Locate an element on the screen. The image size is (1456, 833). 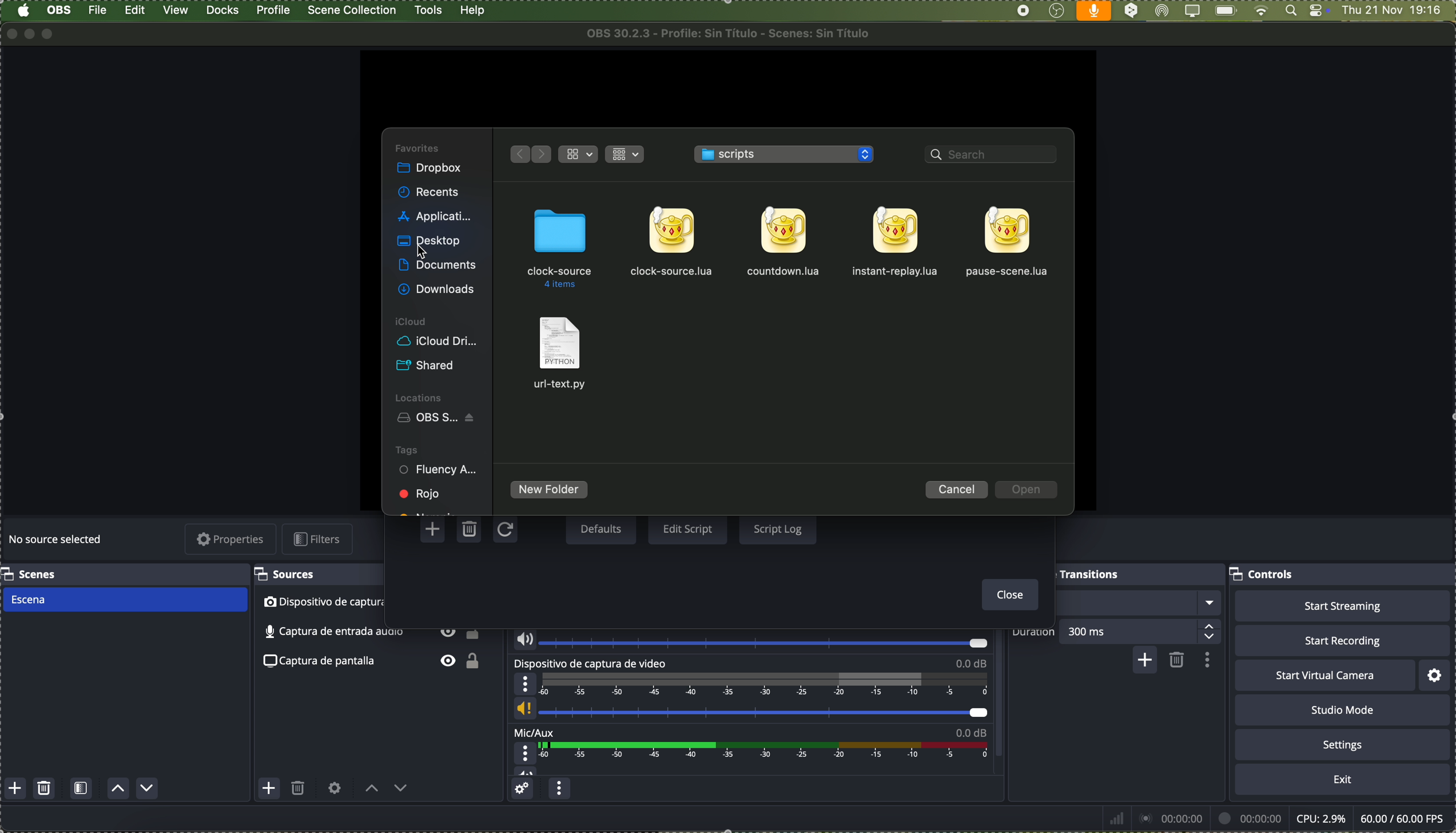
recents is located at coordinates (430, 193).